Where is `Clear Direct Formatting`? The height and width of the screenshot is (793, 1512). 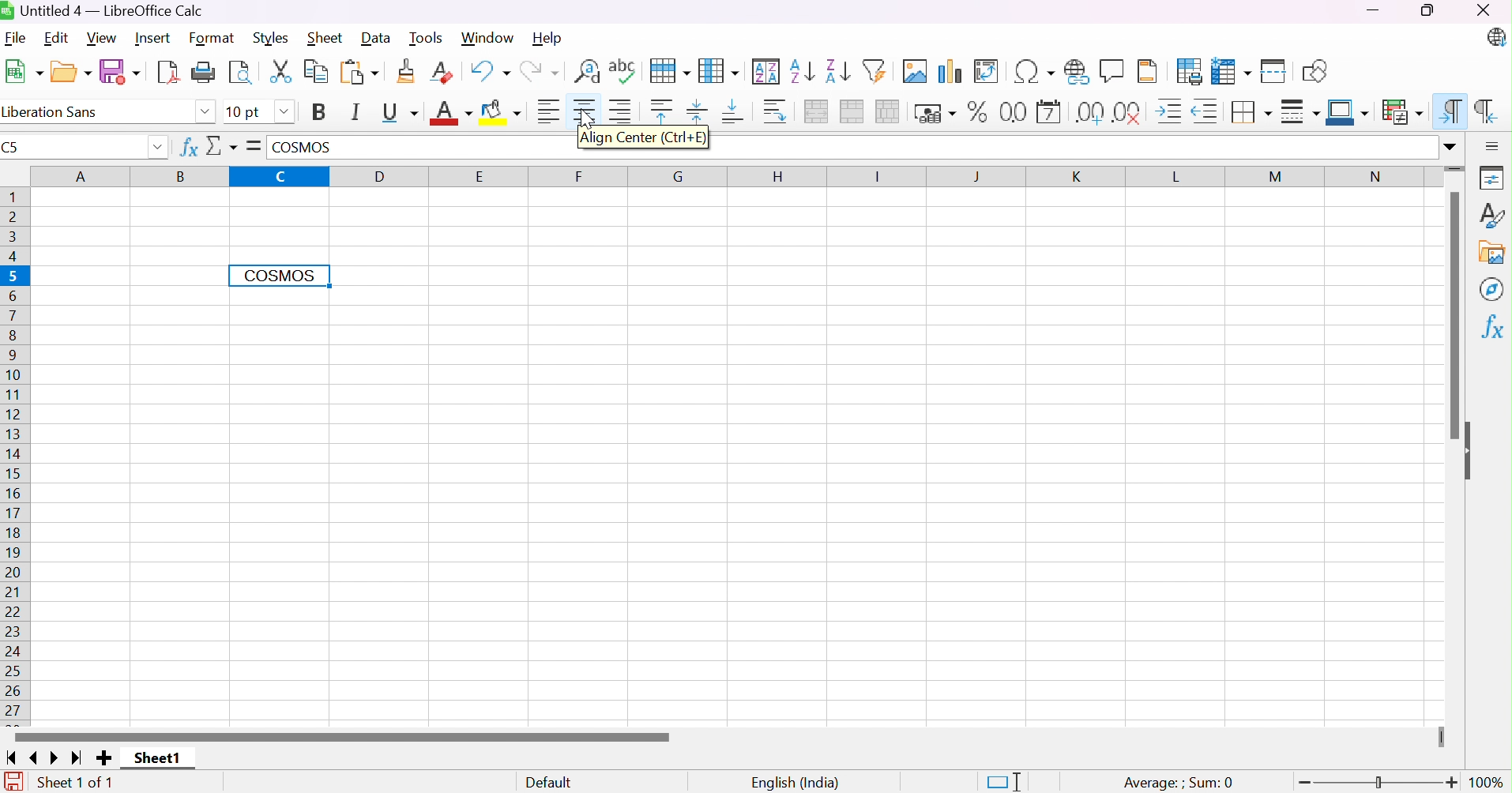 Clear Direct Formatting is located at coordinates (442, 72).